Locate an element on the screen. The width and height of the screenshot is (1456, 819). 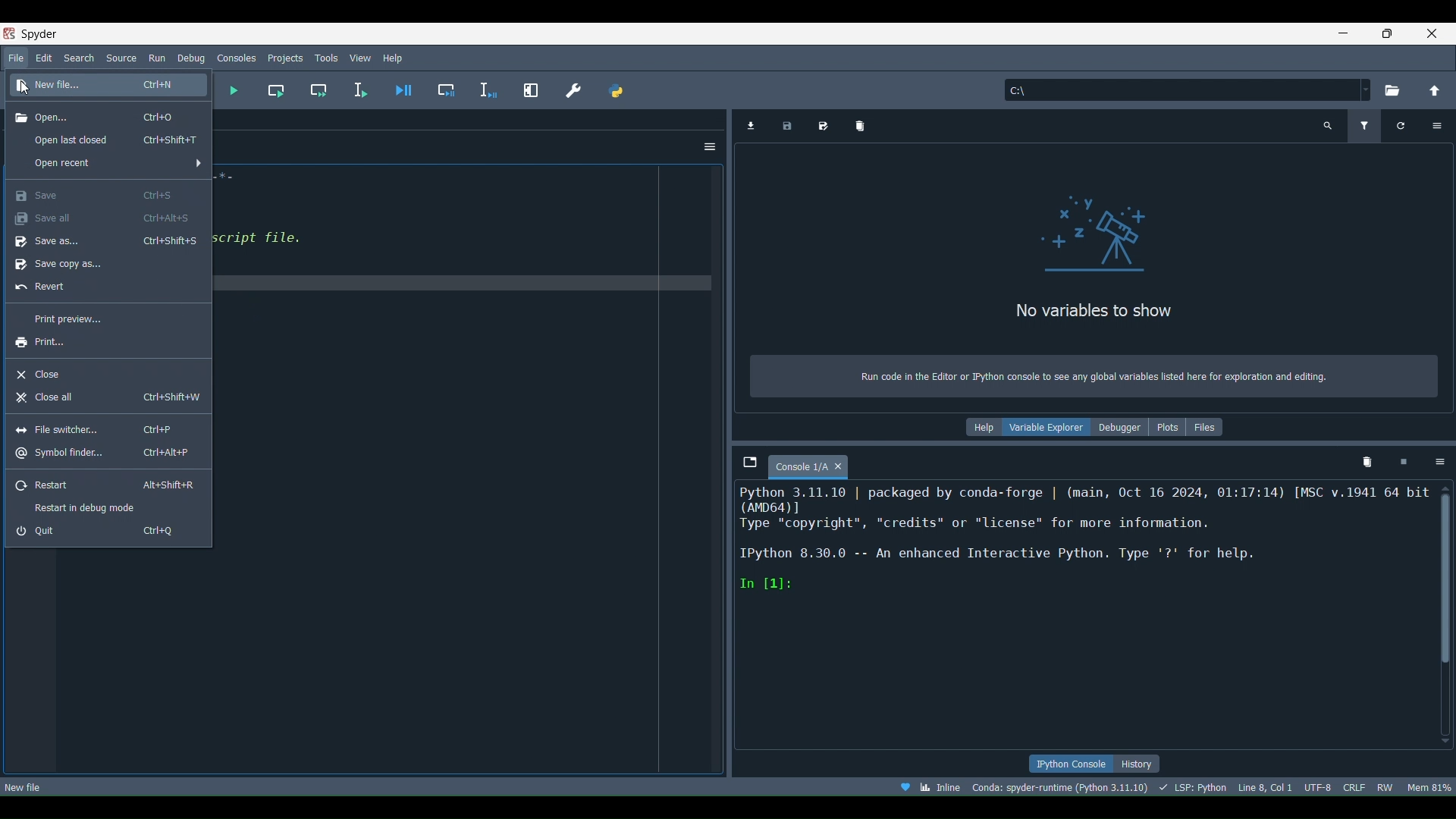
Consoles is located at coordinates (237, 57).